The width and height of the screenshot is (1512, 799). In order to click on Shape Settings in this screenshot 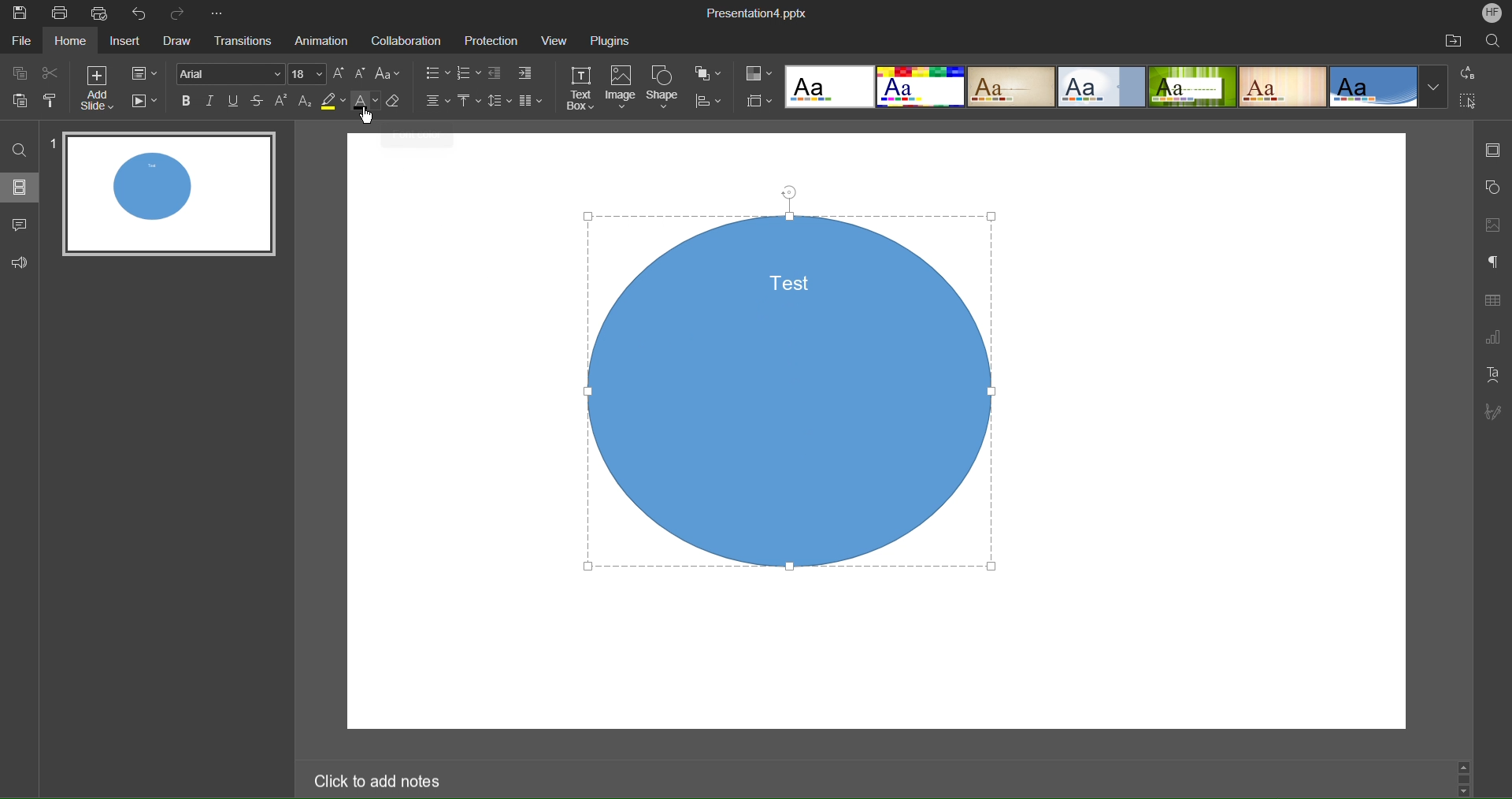, I will do `click(1493, 187)`.